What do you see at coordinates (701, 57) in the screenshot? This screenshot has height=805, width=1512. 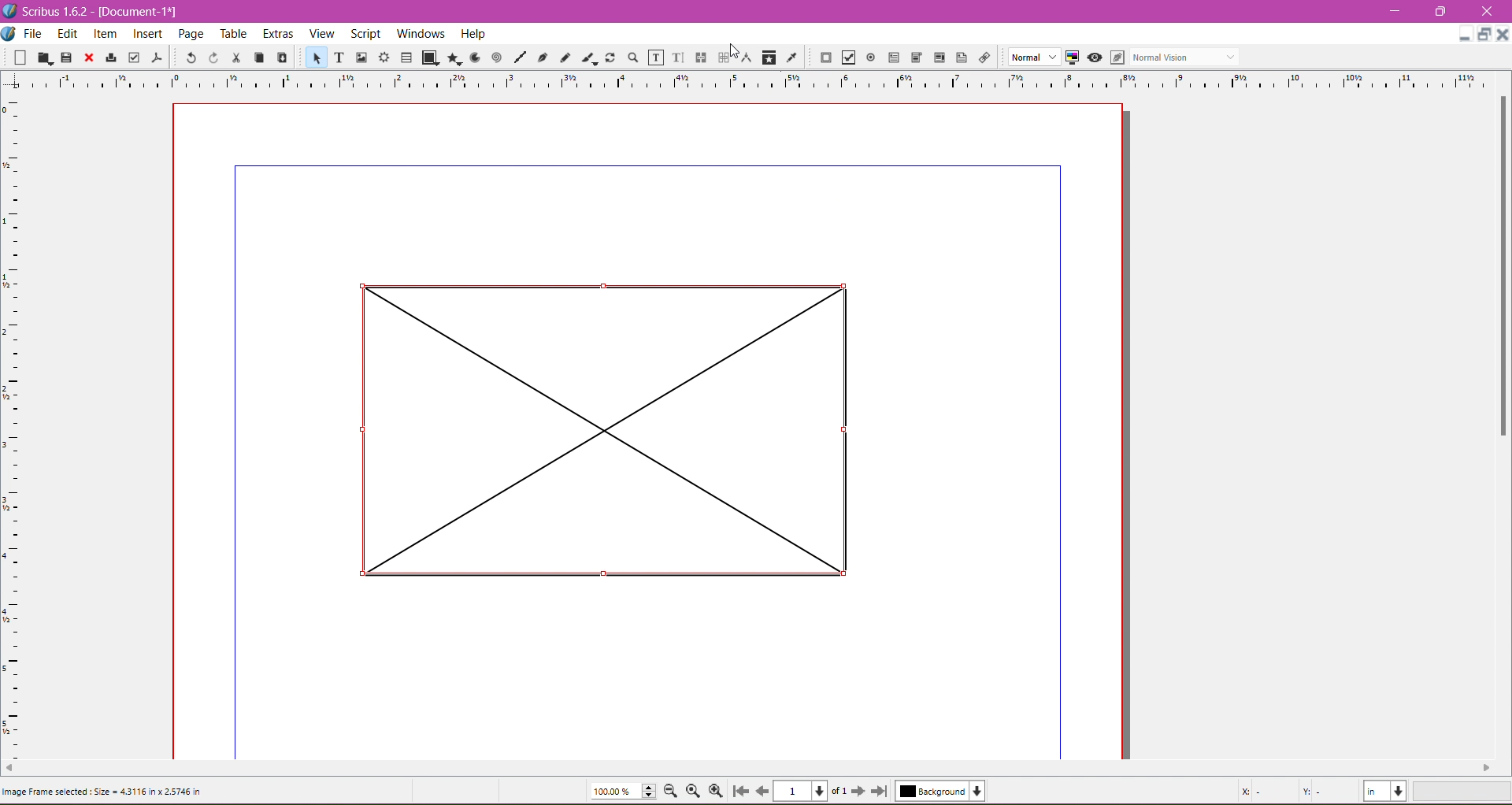 I see `Link Text Frames` at bounding box center [701, 57].